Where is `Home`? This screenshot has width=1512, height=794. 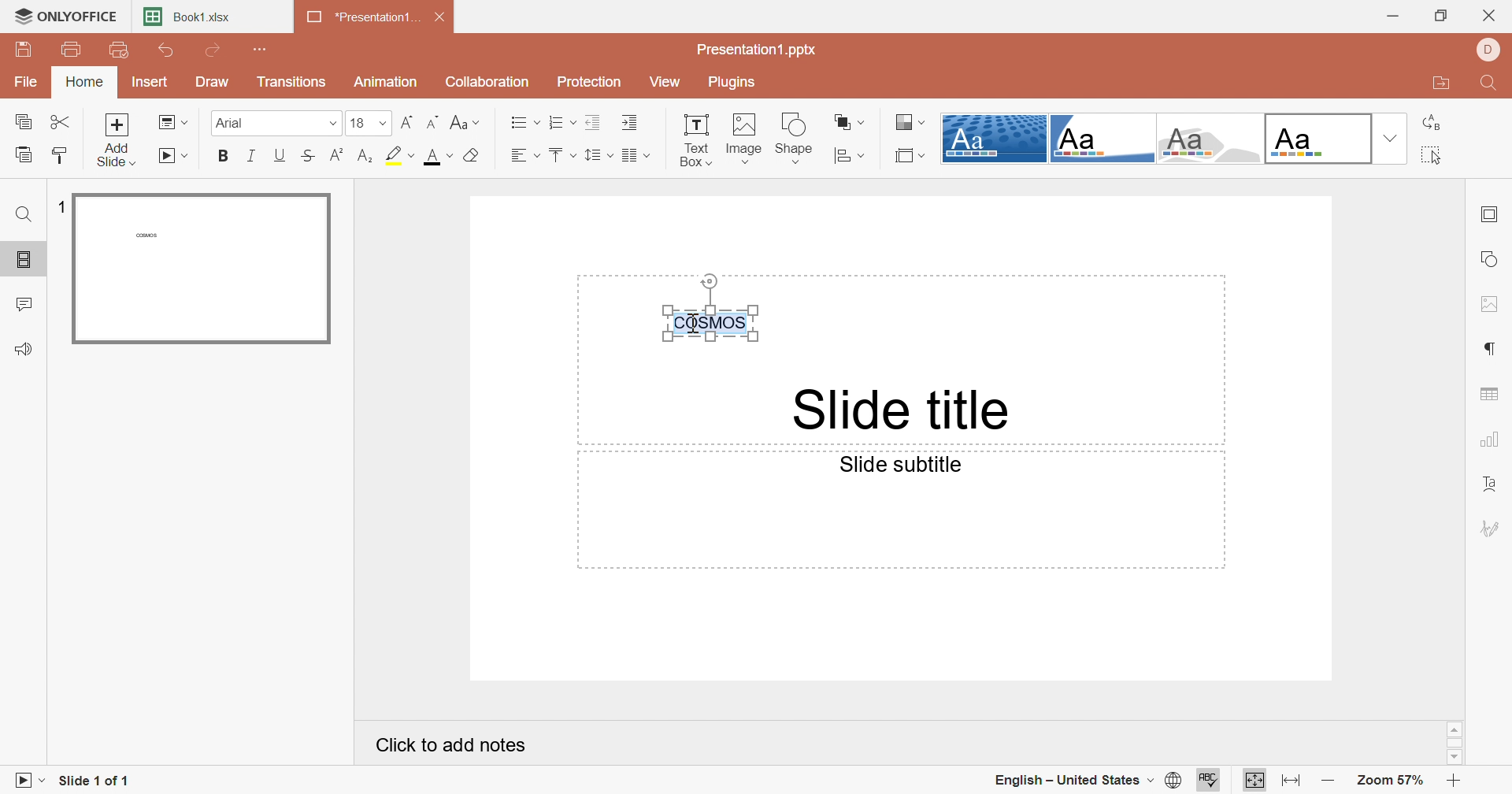
Home is located at coordinates (83, 83).